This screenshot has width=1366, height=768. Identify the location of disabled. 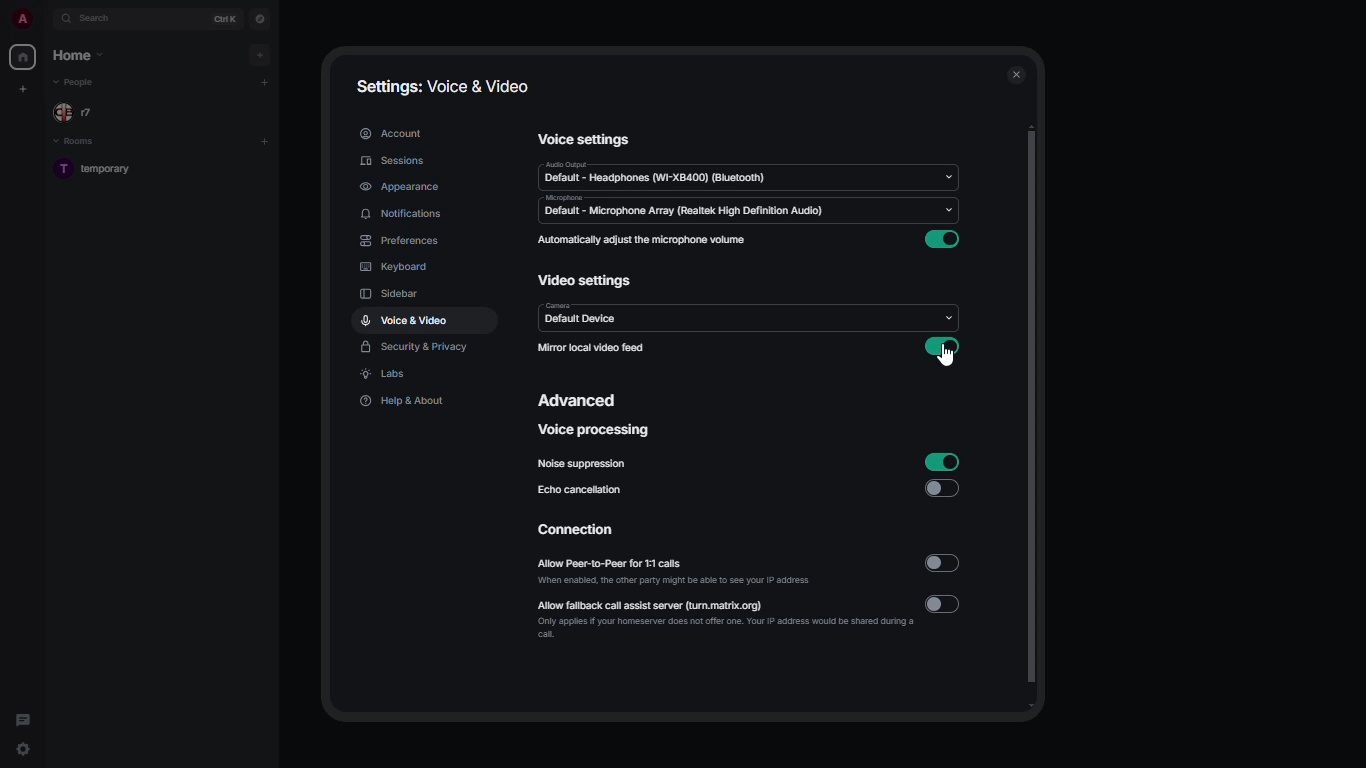
(942, 489).